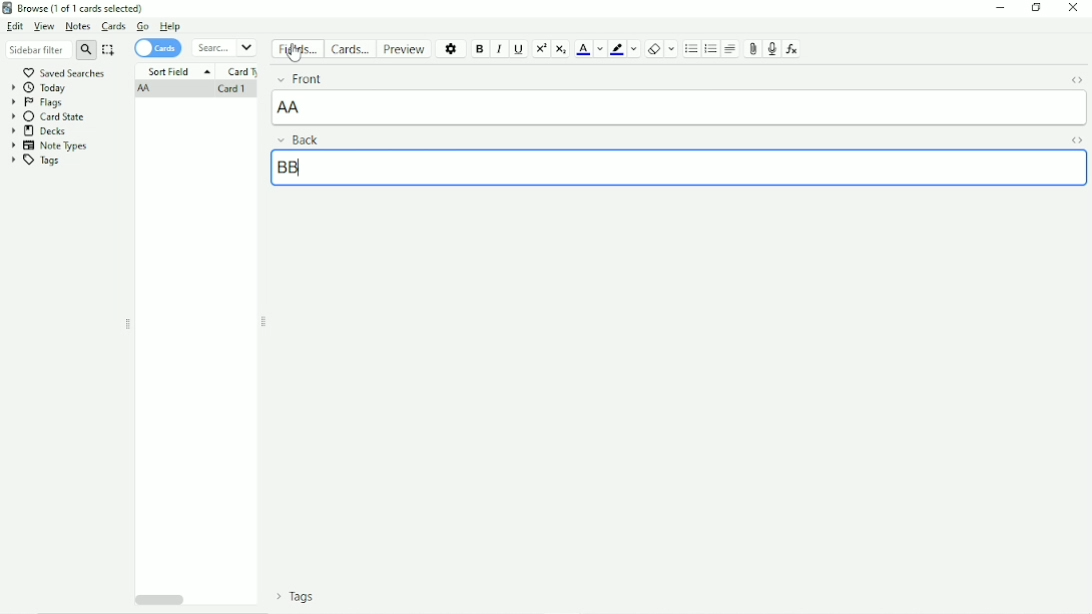 The height and width of the screenshot is (614, 1092). What do you see at coordinates (541, 49) in the screenshot?
I see `Superscript` at bounding box center [541, 49].